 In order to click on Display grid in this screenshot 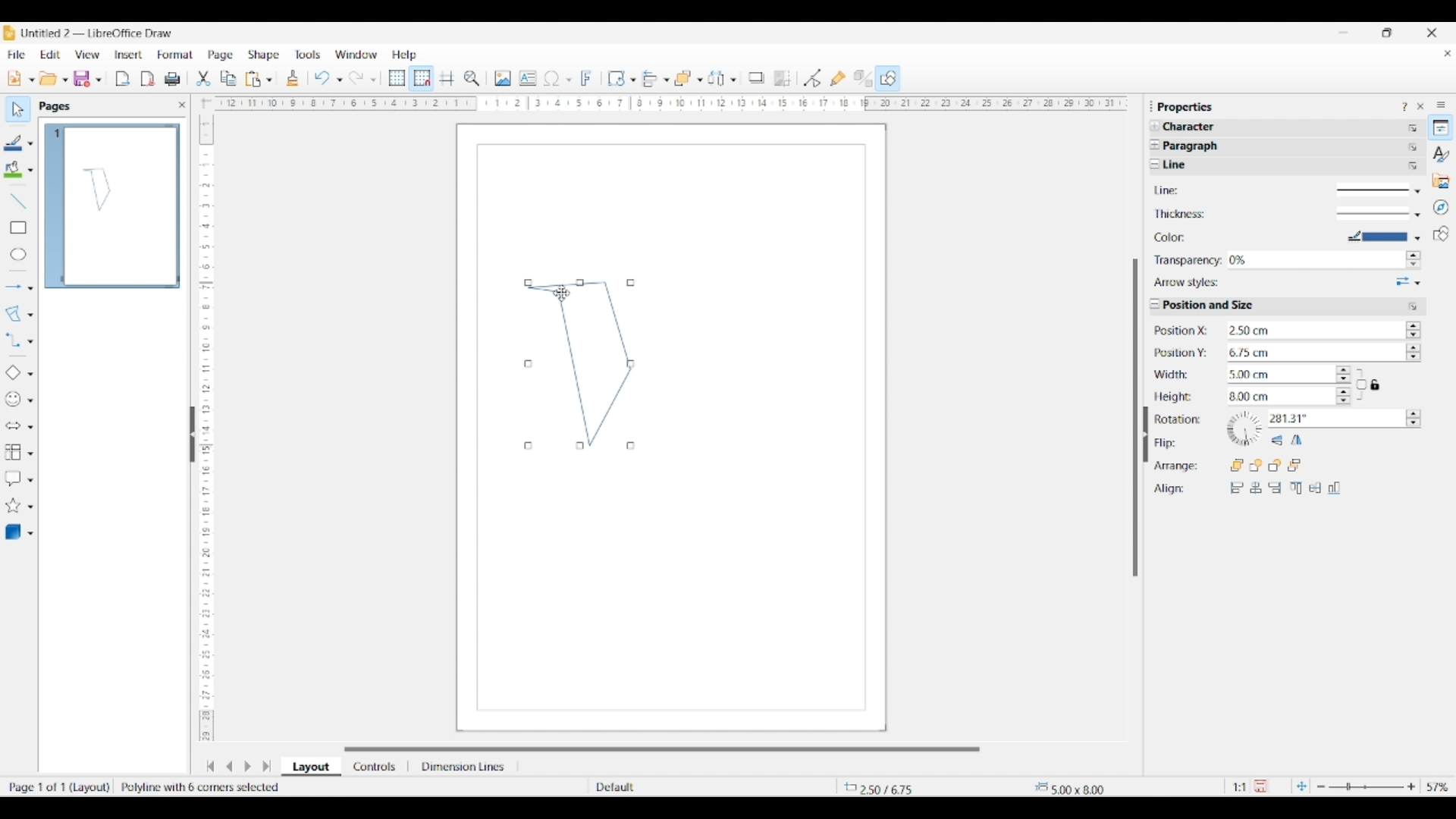, I will do `click(397, 79)`.